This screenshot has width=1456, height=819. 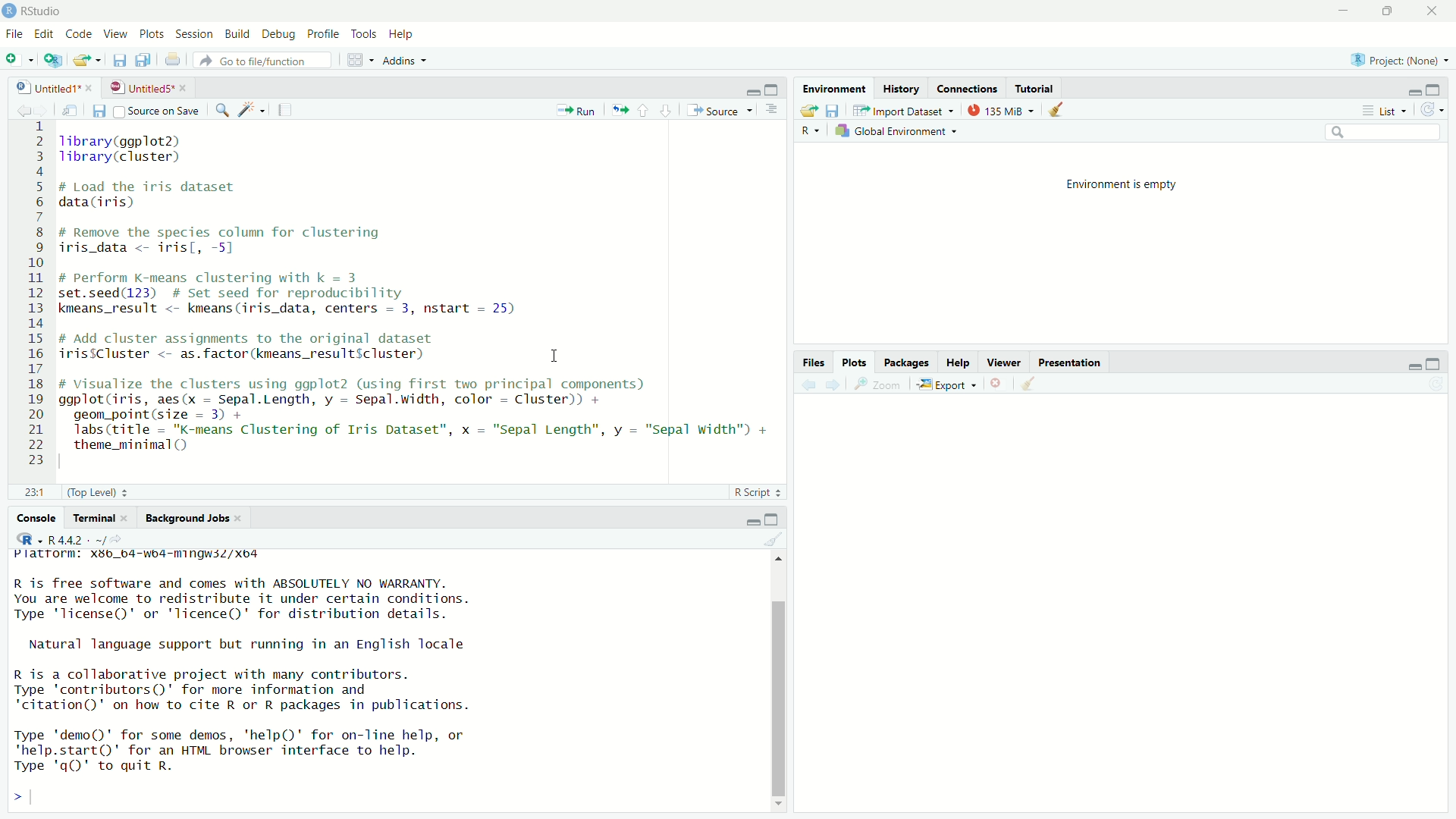 I want to click on maximize, so click(x=1442, y=362).